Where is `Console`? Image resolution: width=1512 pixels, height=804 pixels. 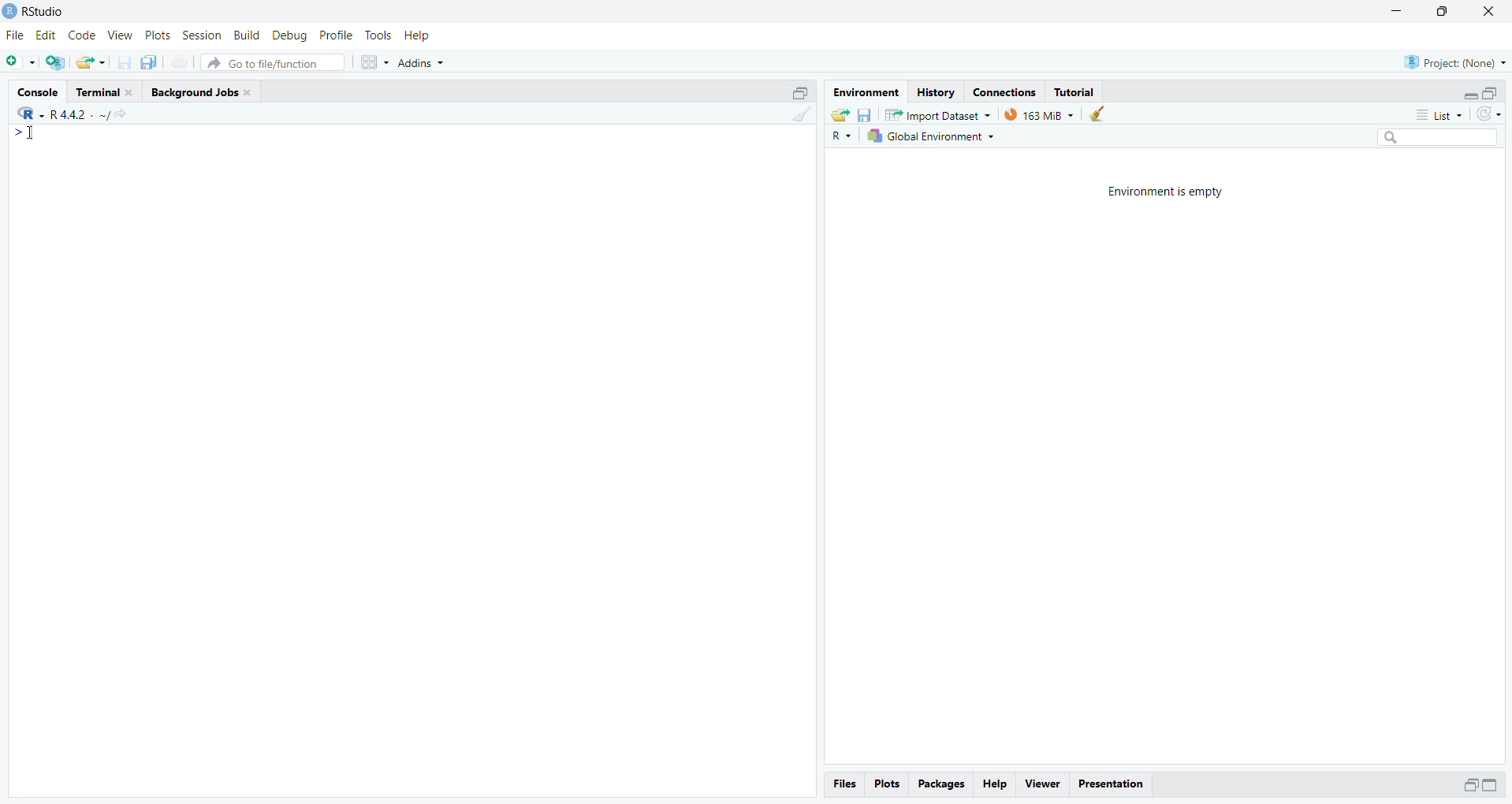
Console is located at coordinates (39, 91).